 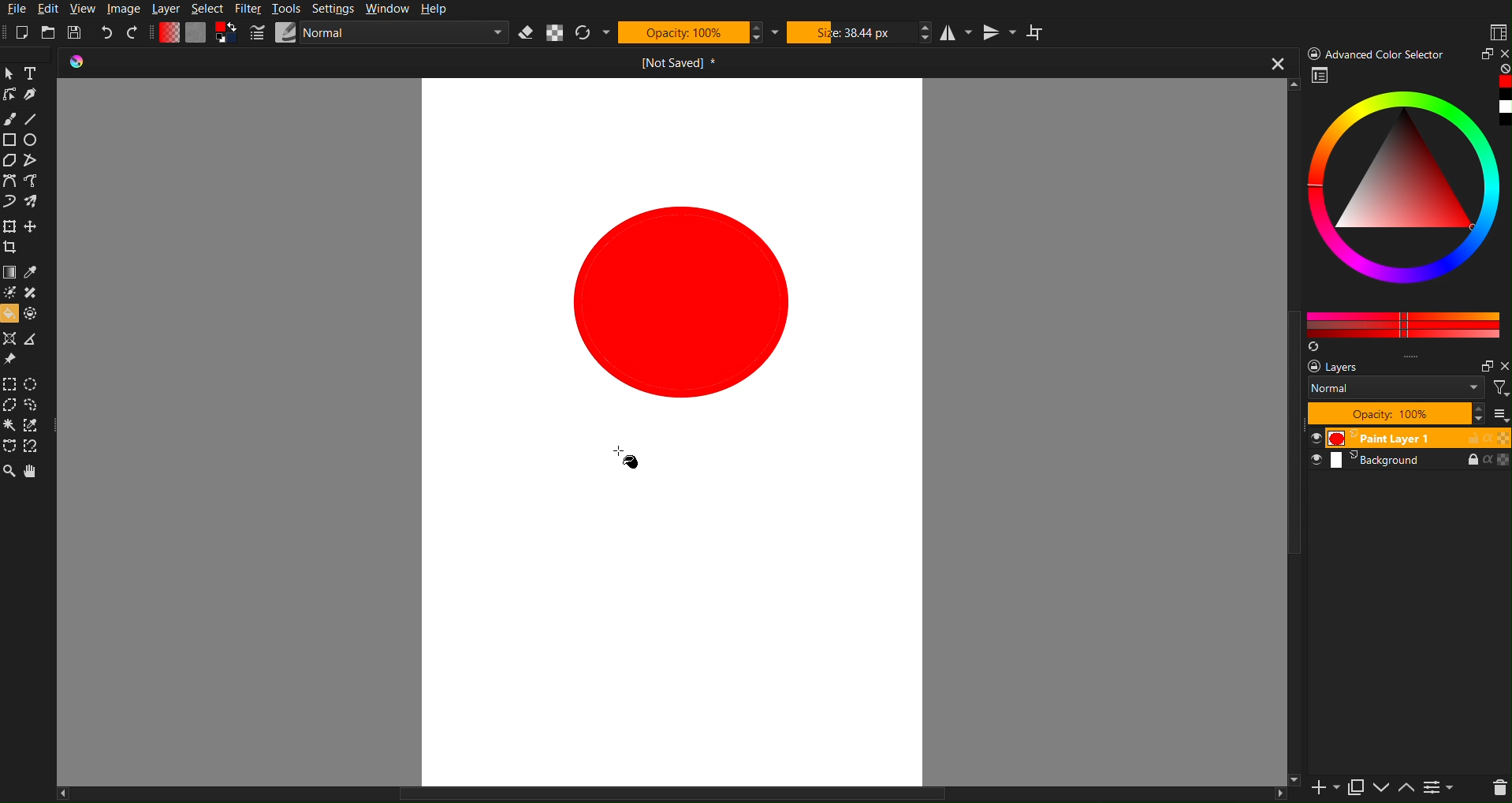 I want to click on Smart Patch, so click(x=32, y=293).